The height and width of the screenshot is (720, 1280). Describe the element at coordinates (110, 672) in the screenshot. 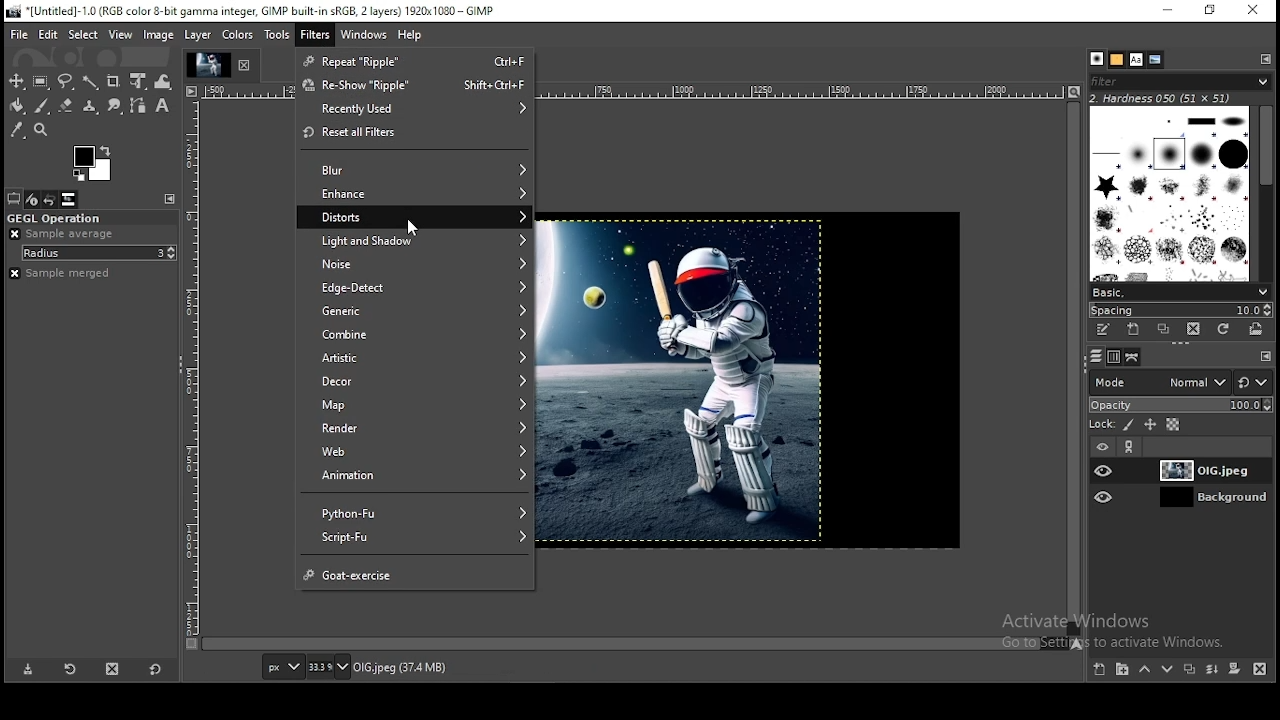

I see `delete tool preset` at that location.